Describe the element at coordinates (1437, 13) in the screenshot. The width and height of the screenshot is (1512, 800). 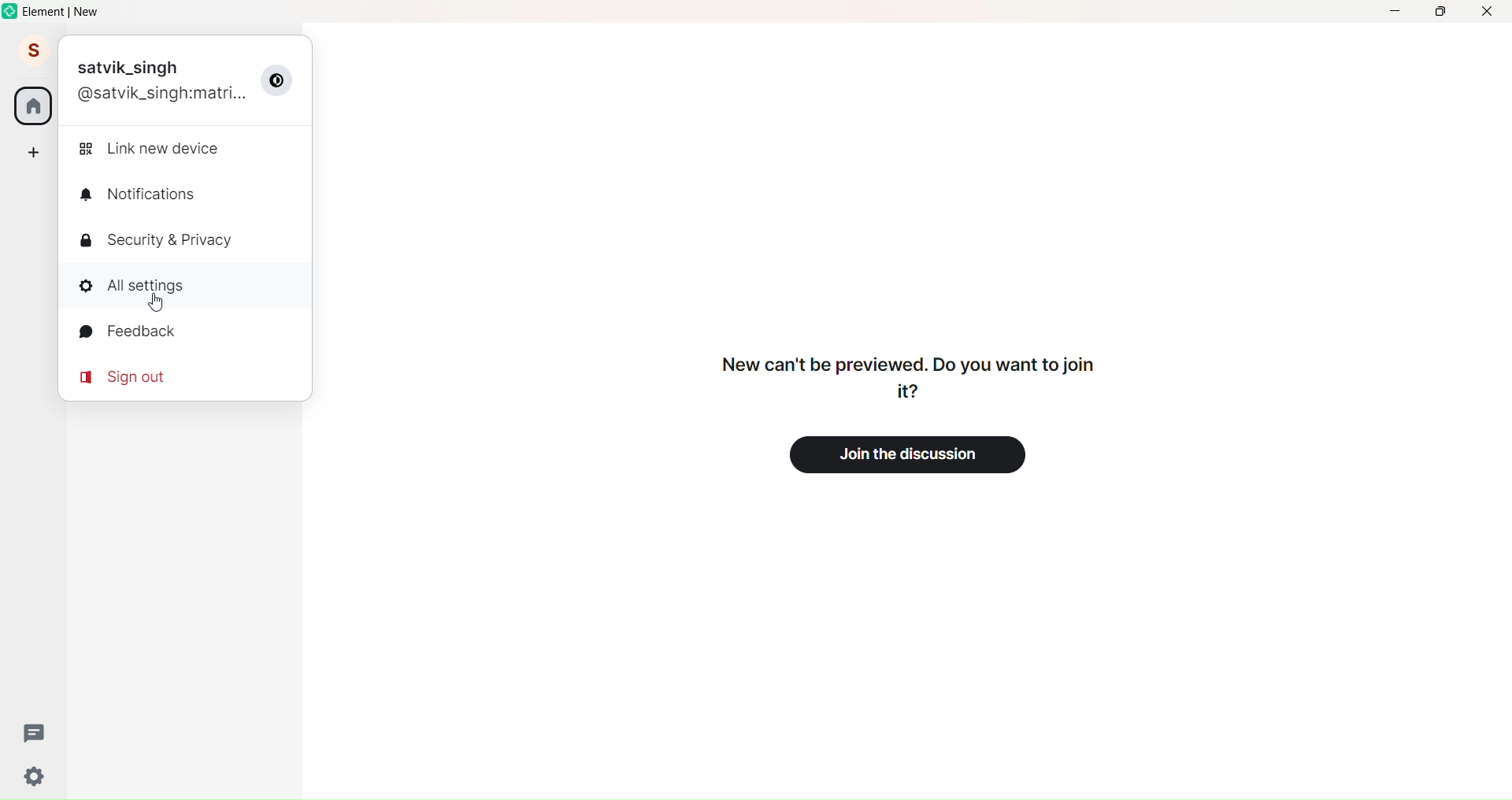
I see `Maximize` at that location.